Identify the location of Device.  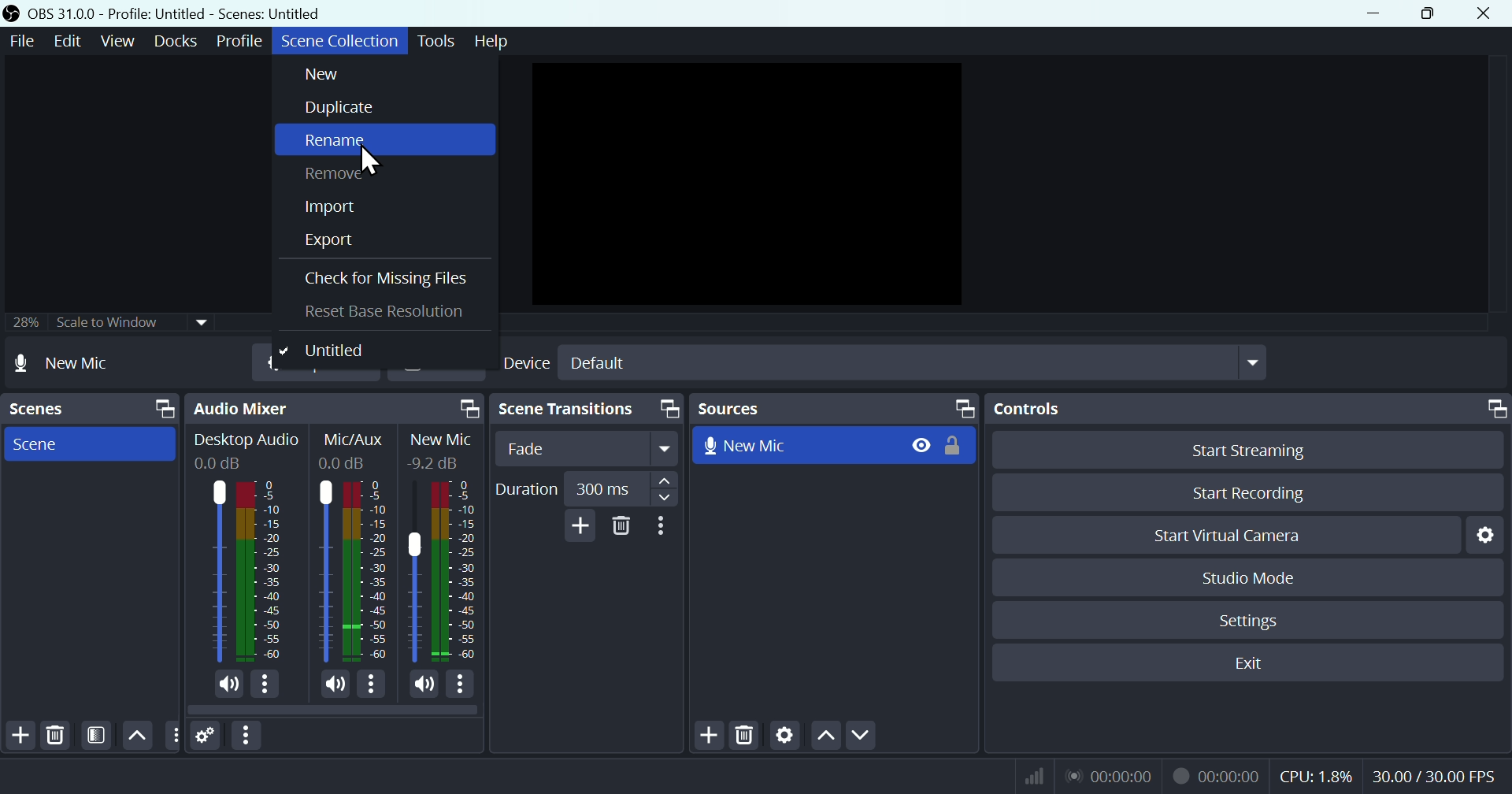
(527, 365).